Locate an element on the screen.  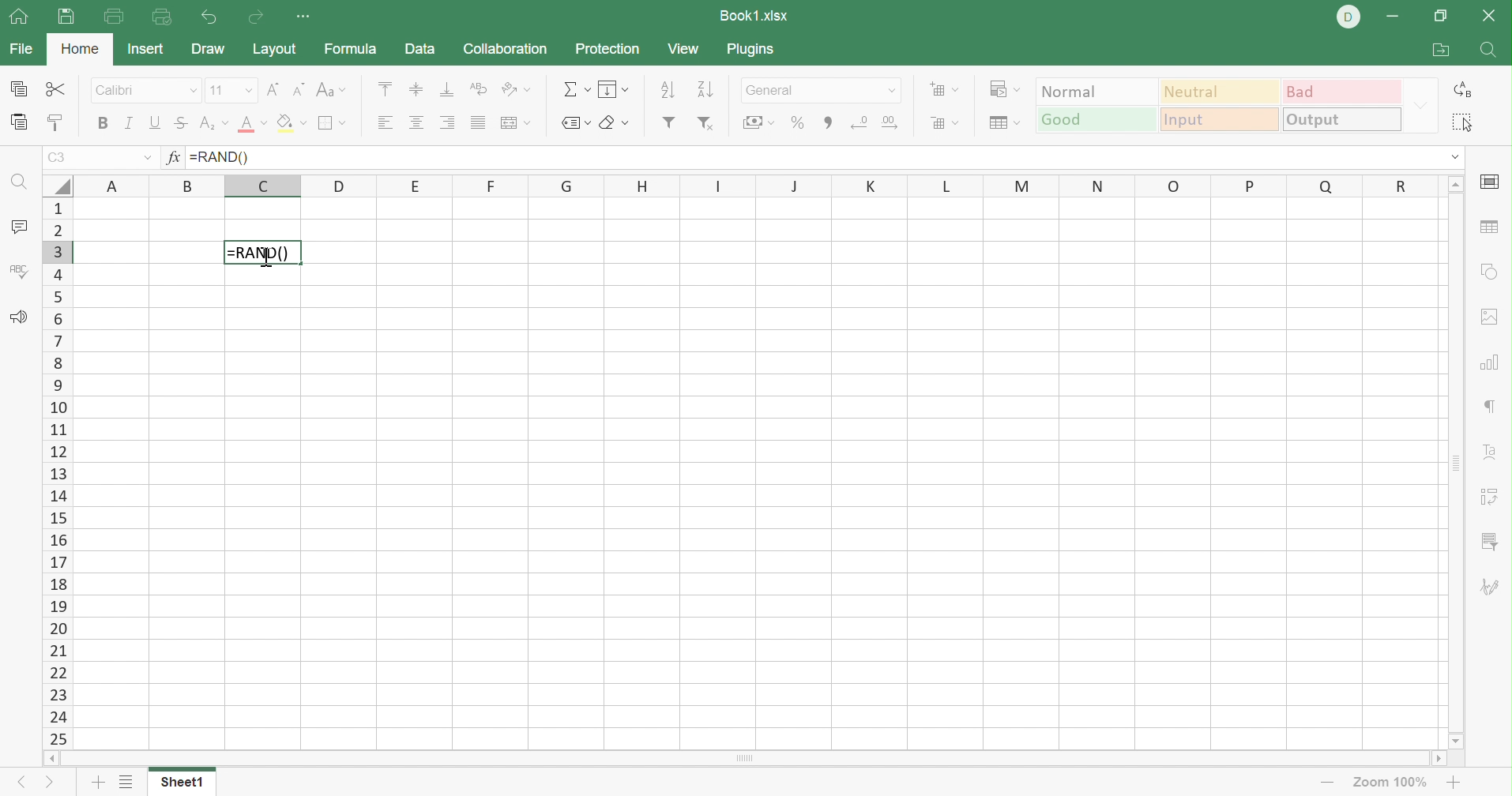
Subscript is located at coordinates (213, 122).